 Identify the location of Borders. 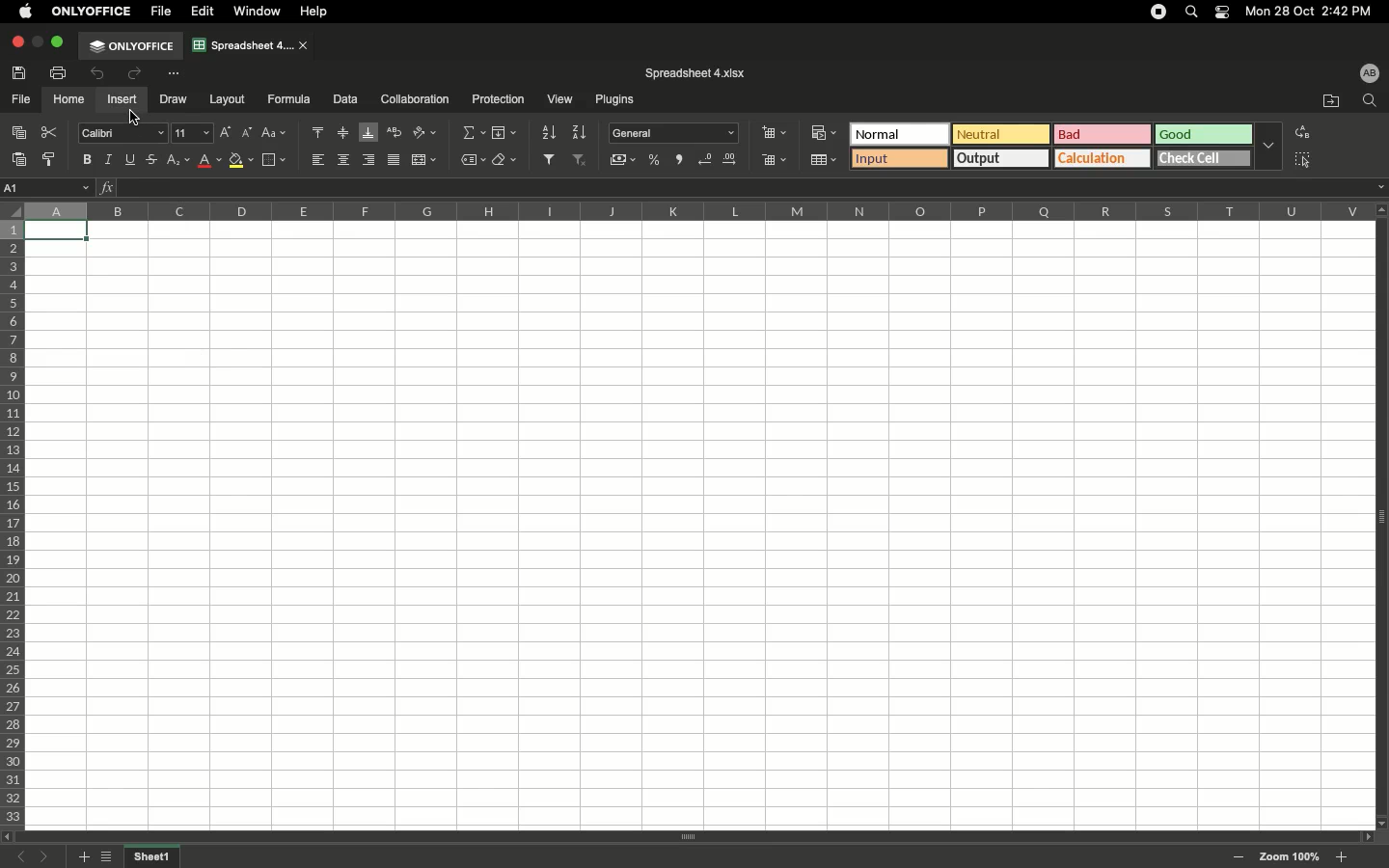
(274, 160).